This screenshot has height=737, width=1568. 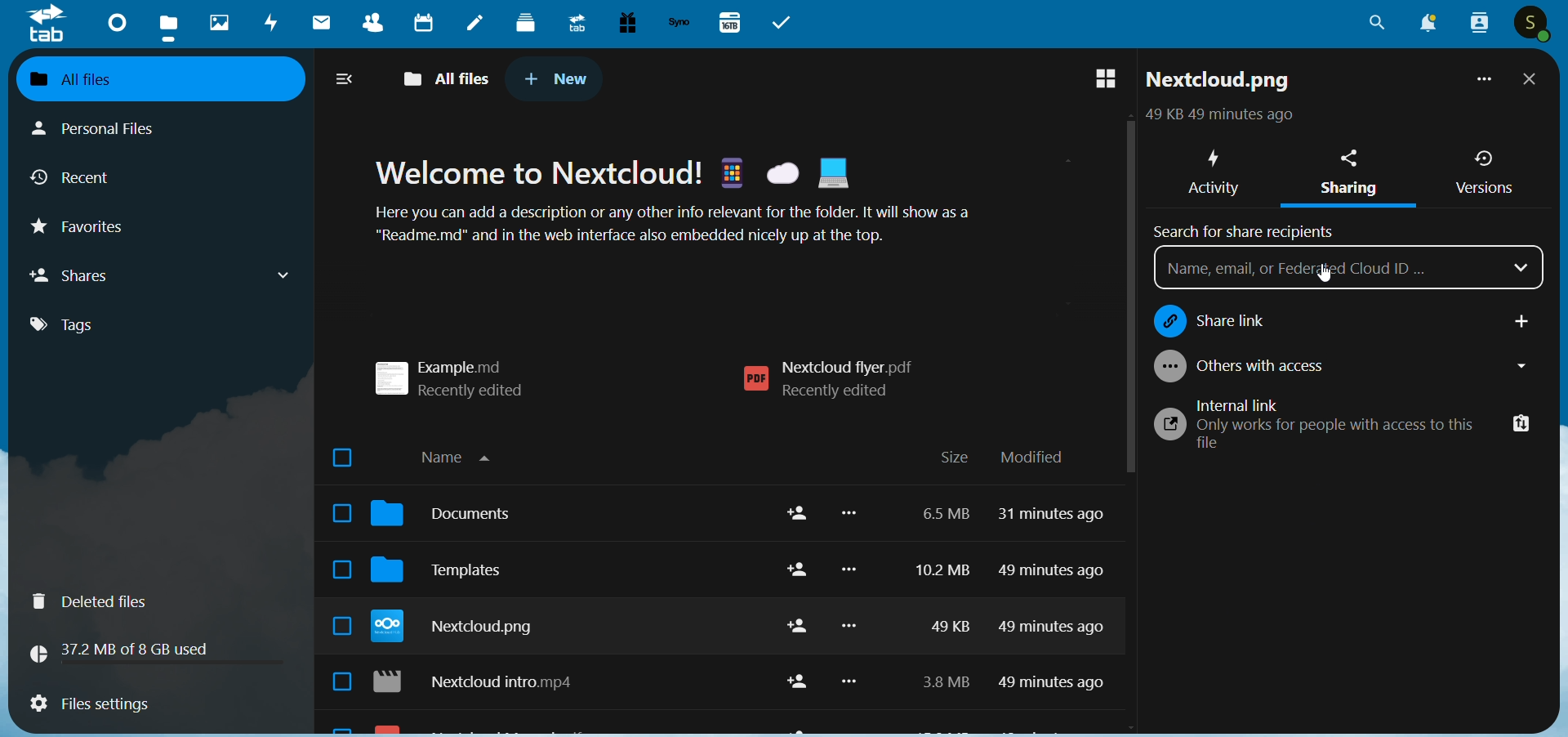 What do you see at coordinates (367, 25) in the screenshot?
I see `contacts` at bounding box center [367, 25].